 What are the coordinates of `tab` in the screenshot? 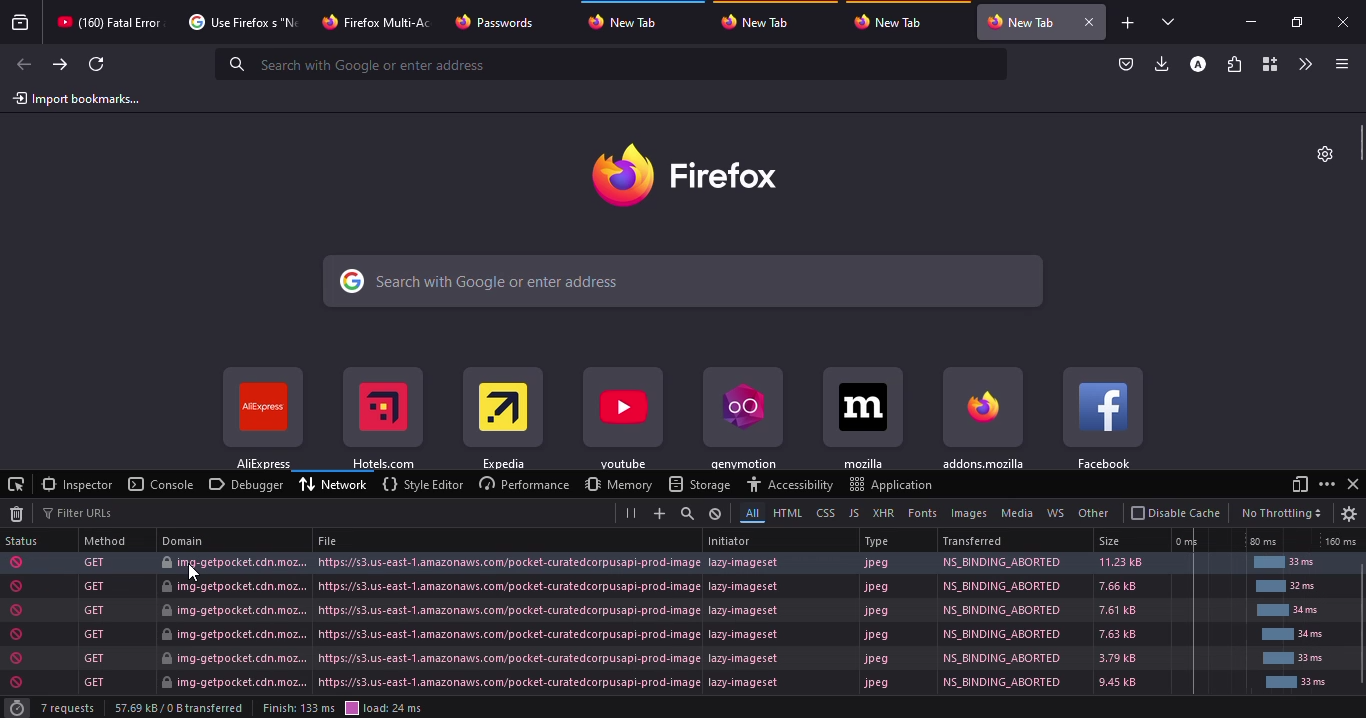 It's located at (503, 22).